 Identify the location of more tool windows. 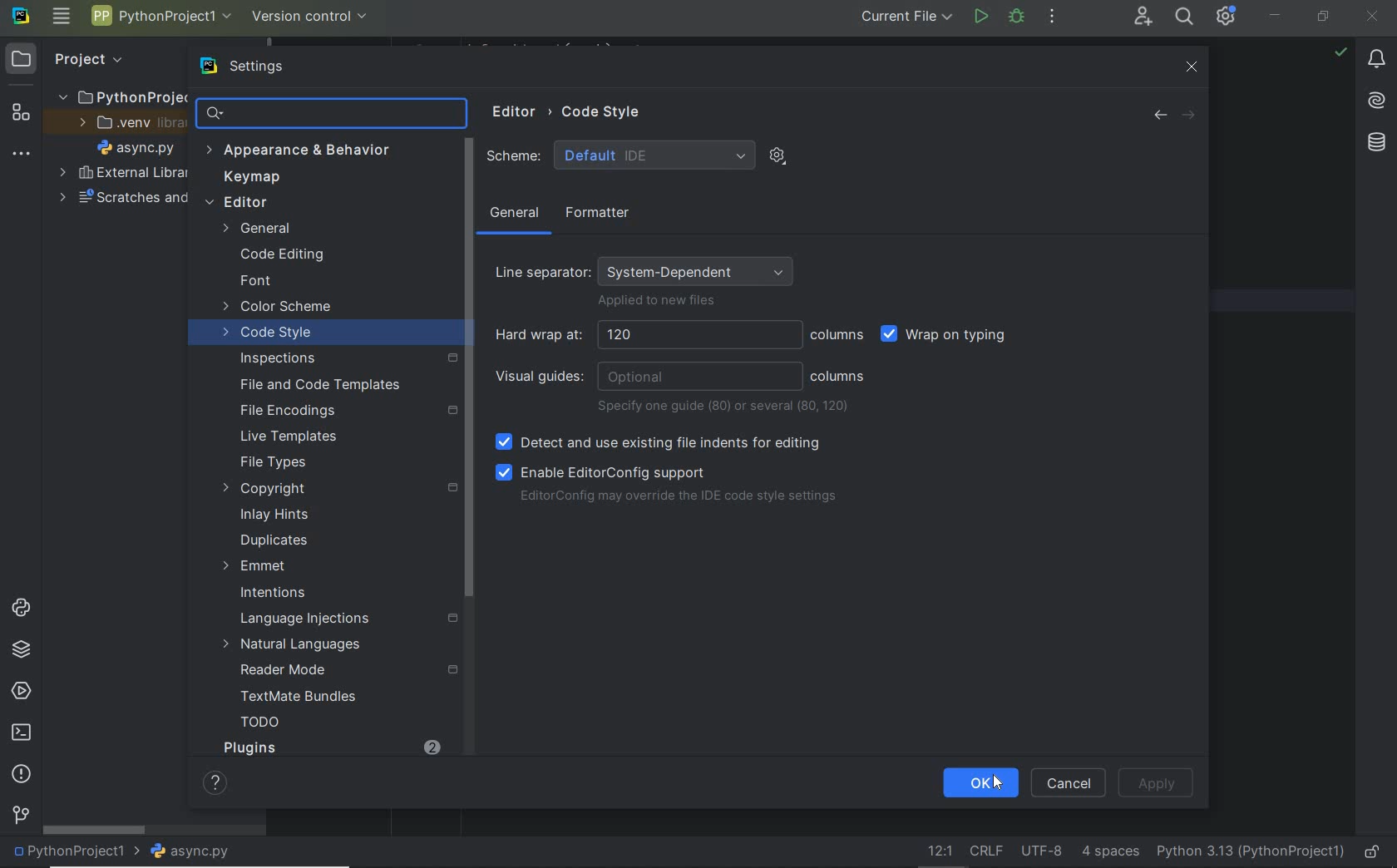
(22, 155).